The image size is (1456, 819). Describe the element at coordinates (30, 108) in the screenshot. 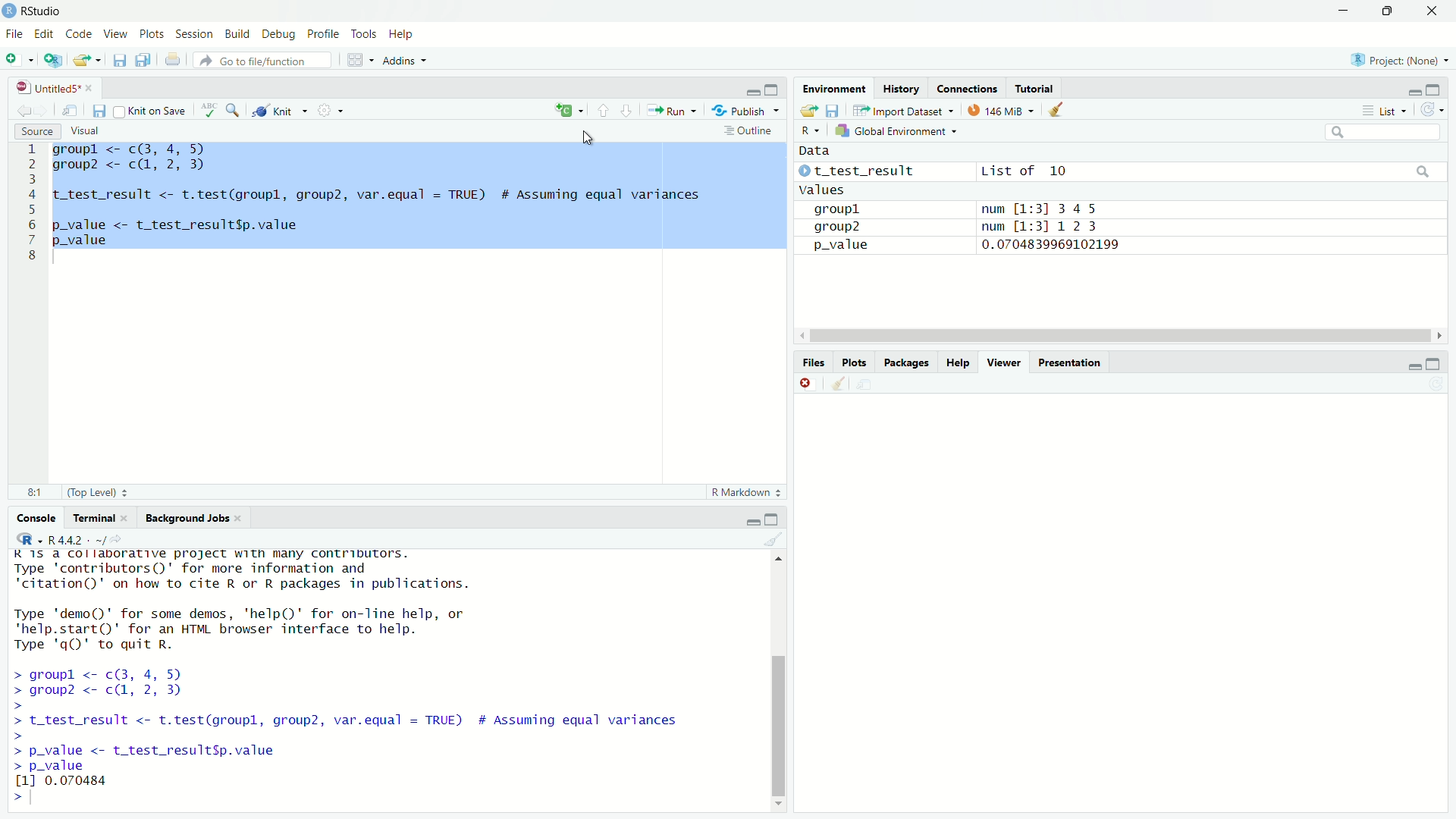

I see `go back` at that location.